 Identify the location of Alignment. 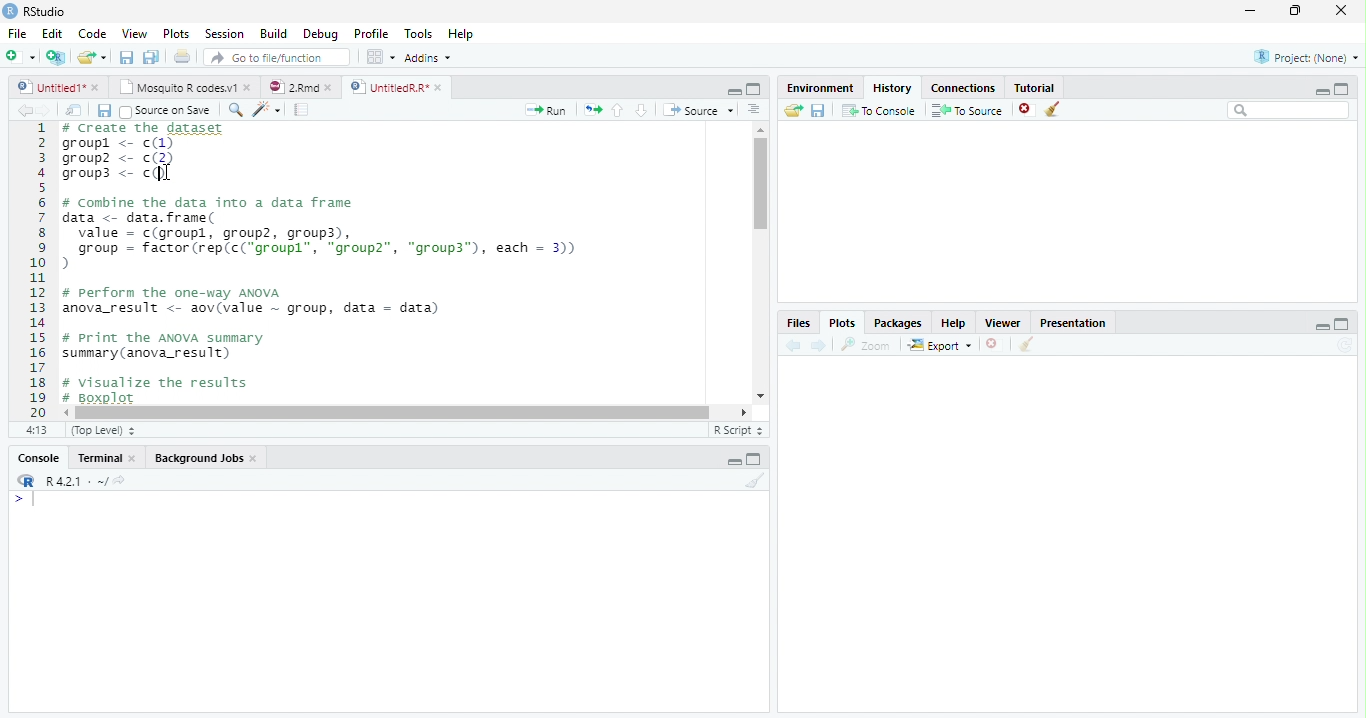
(753, 111).